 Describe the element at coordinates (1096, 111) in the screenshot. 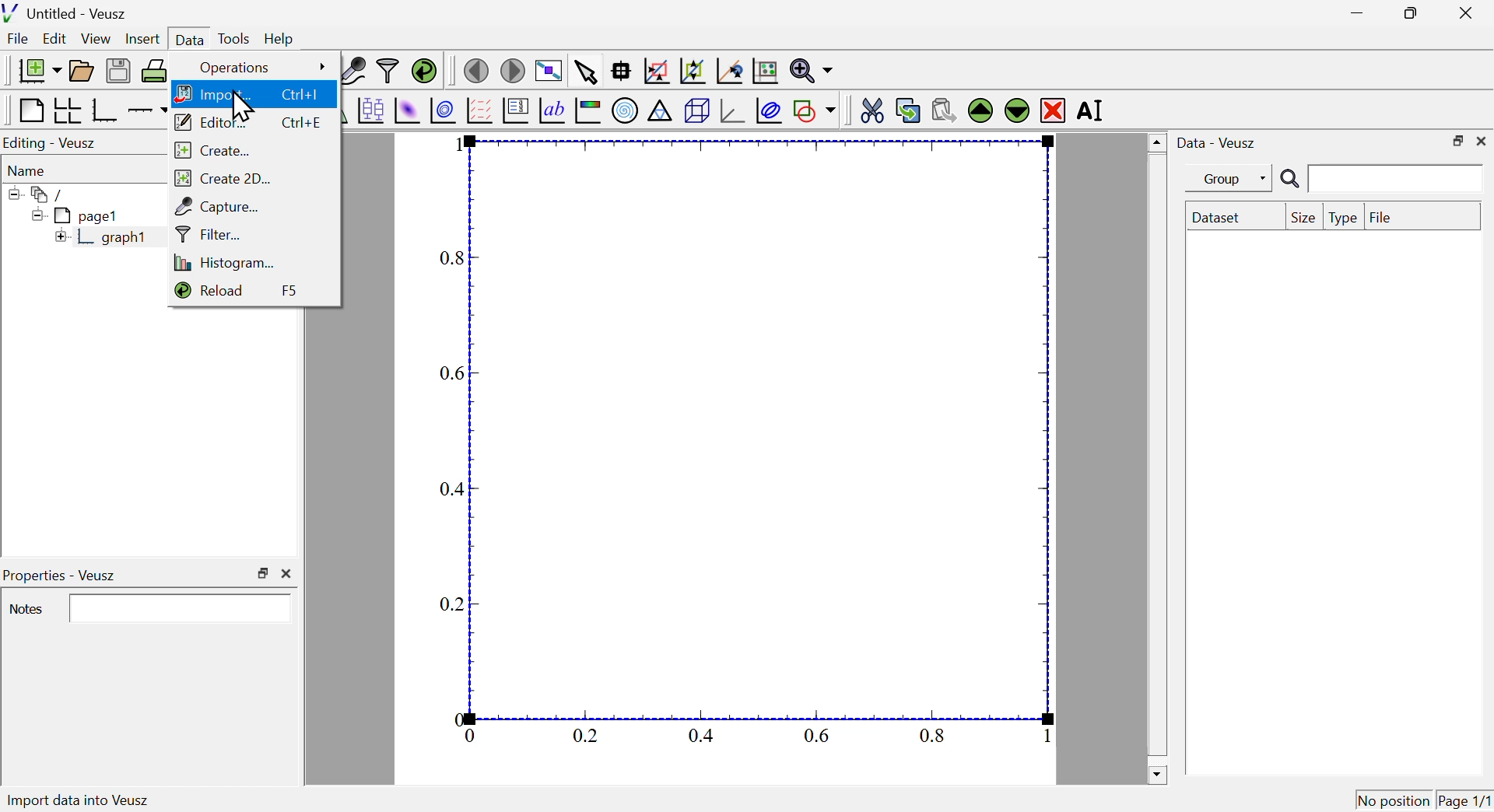

I see `rename the selected widget` at that location.